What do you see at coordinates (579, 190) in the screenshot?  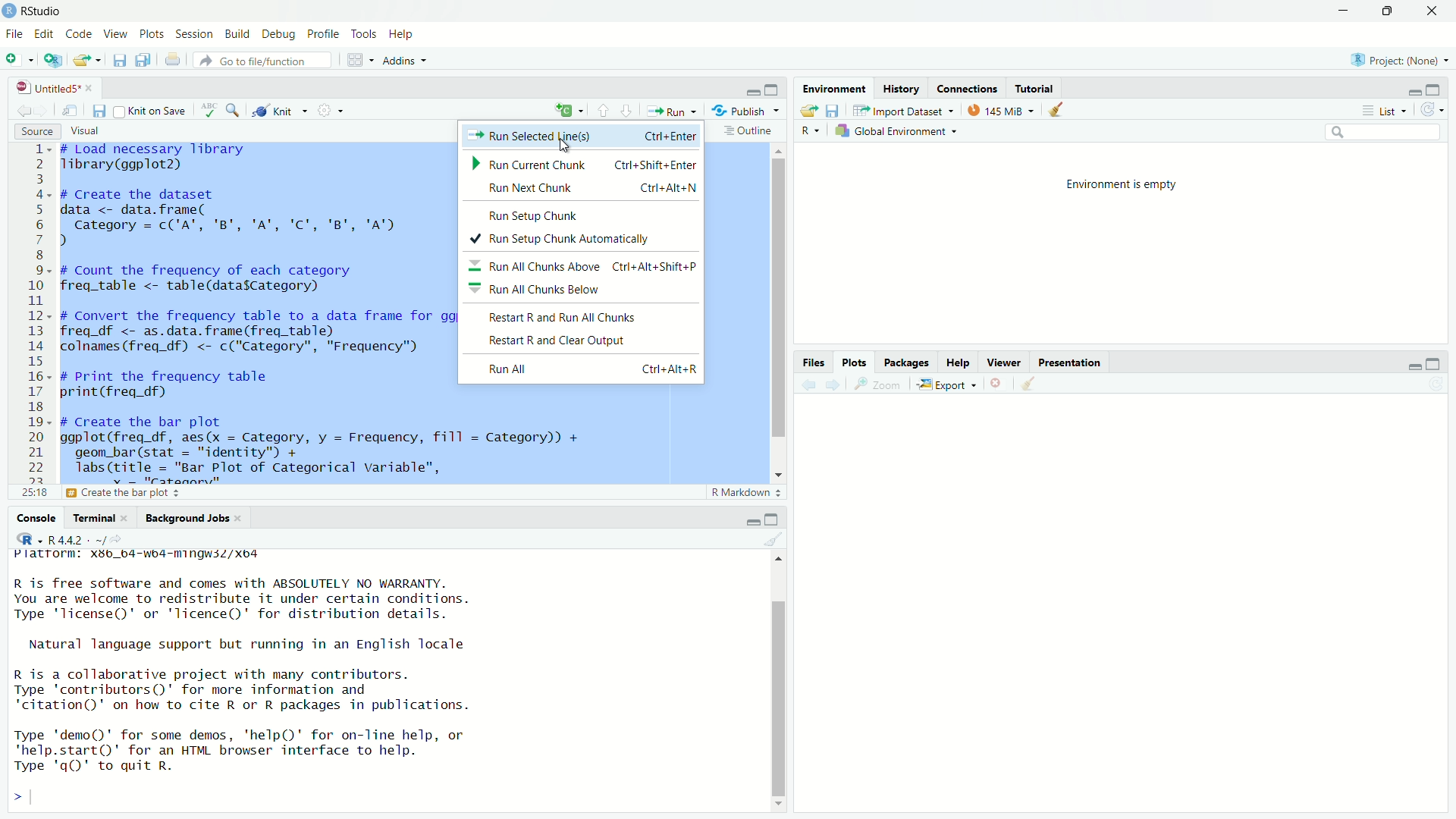 I see `Run Next Chunk Ctrl+Alt+N` at bounding box center [579, 190].